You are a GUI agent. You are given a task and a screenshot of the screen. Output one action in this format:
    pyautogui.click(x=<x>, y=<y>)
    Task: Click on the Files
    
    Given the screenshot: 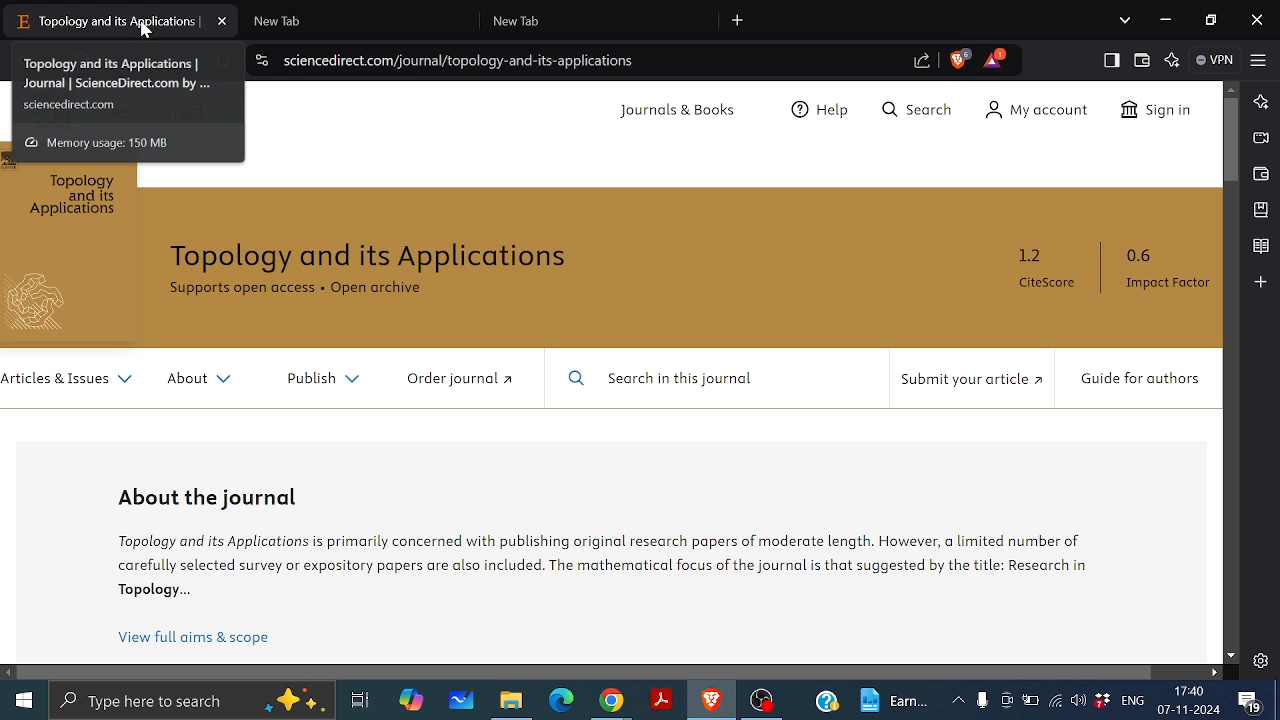 What is the action you would take?
    pyautogui.click(x=515, y=701)
    